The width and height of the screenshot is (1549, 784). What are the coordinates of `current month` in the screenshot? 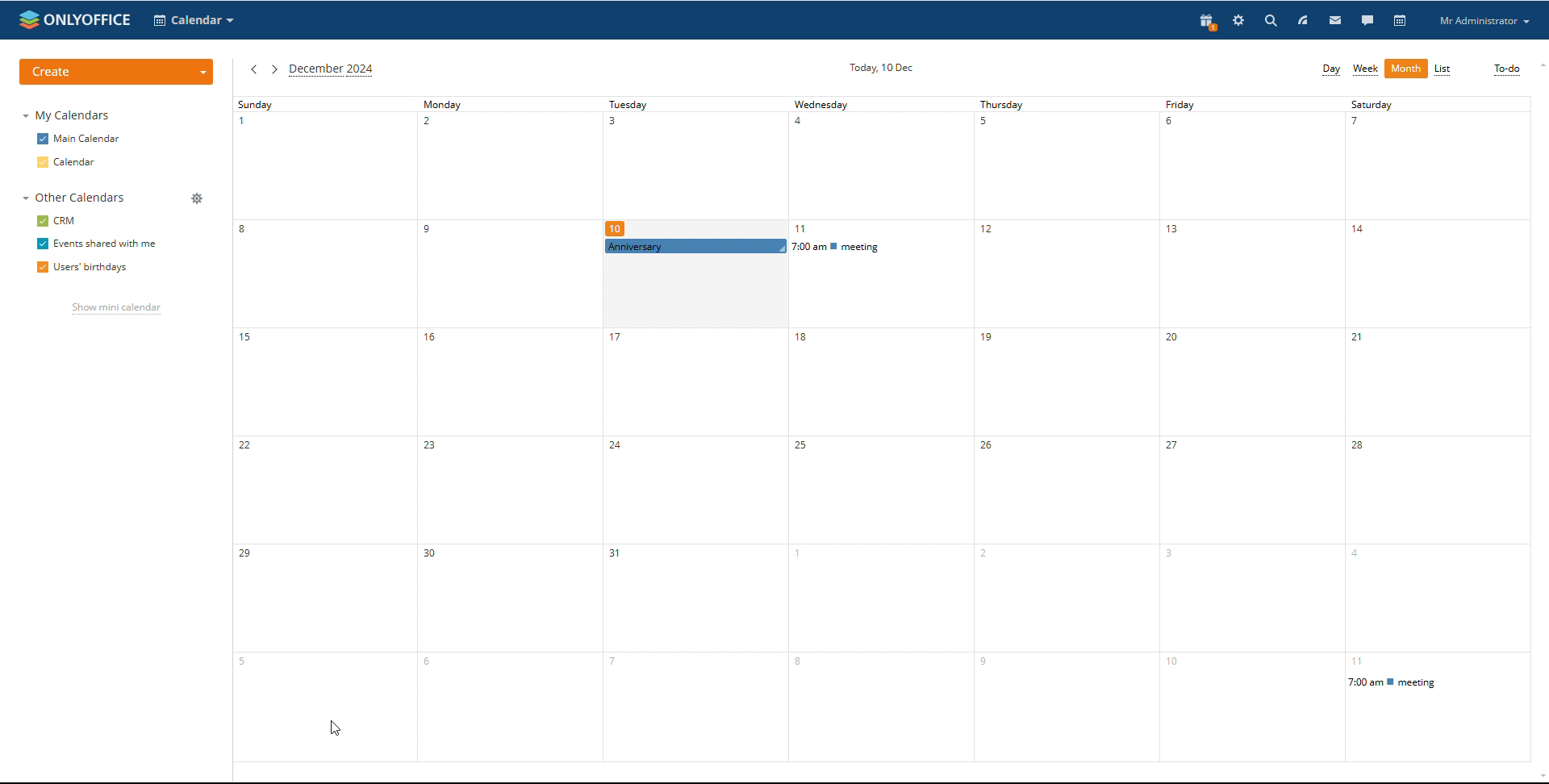 It's located at (332, 70).